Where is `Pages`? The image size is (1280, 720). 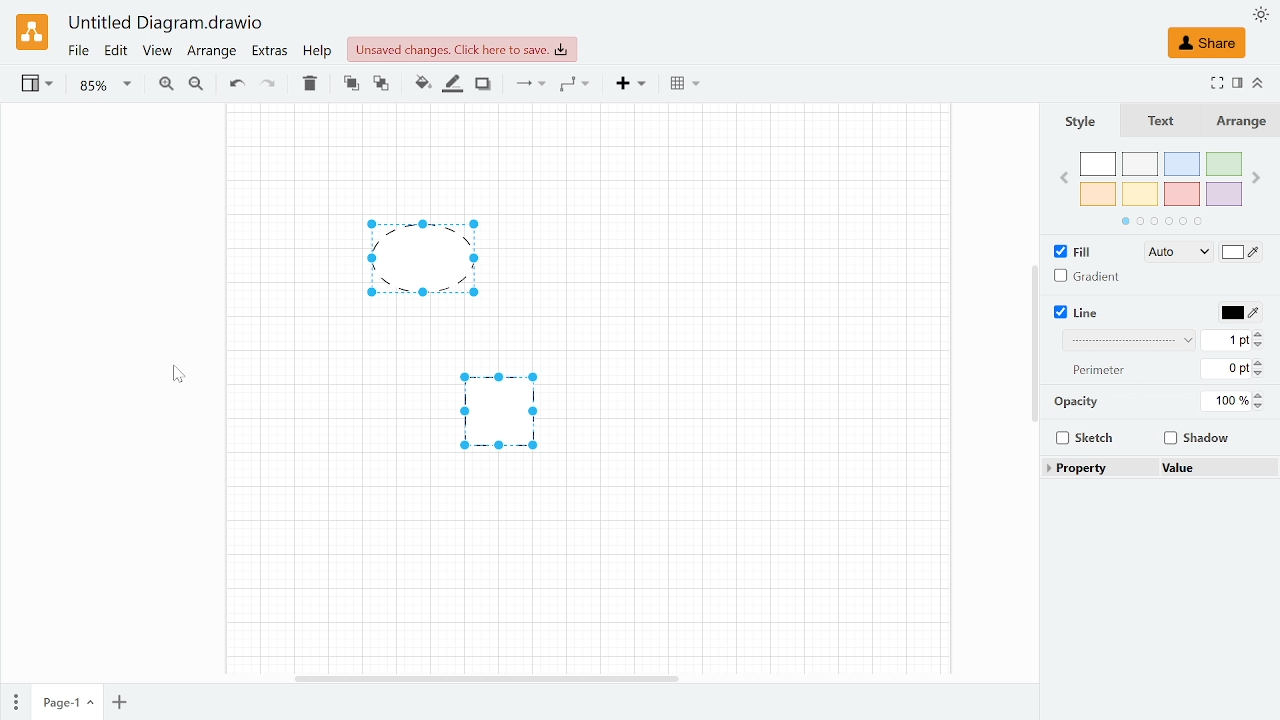 Pages is located at coordinates (14, 700).